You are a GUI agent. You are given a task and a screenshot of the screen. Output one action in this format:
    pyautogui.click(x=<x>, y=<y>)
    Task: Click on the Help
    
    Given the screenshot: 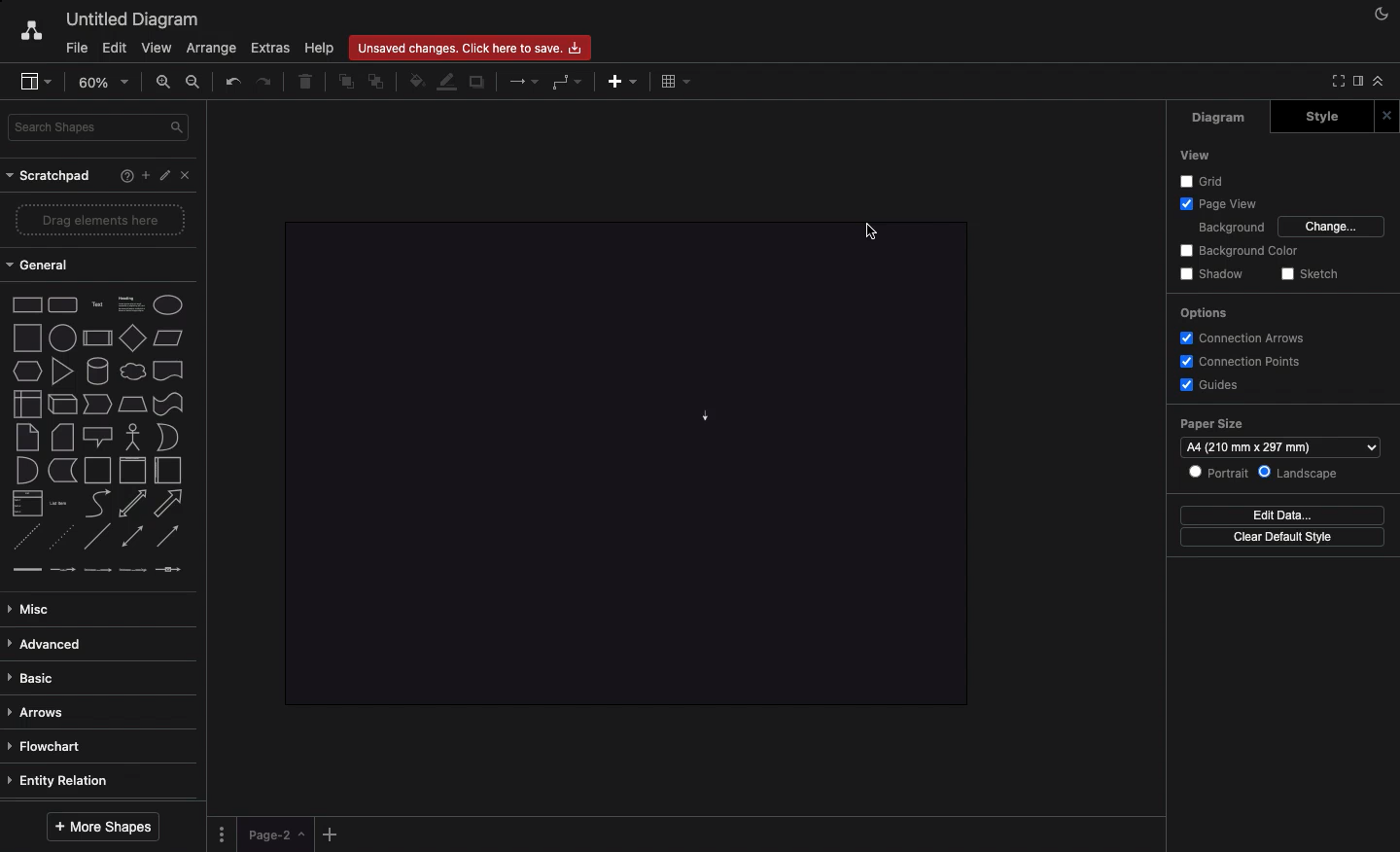 What is the action you would take?
    pyautogui.click(x=126, y=175)
    